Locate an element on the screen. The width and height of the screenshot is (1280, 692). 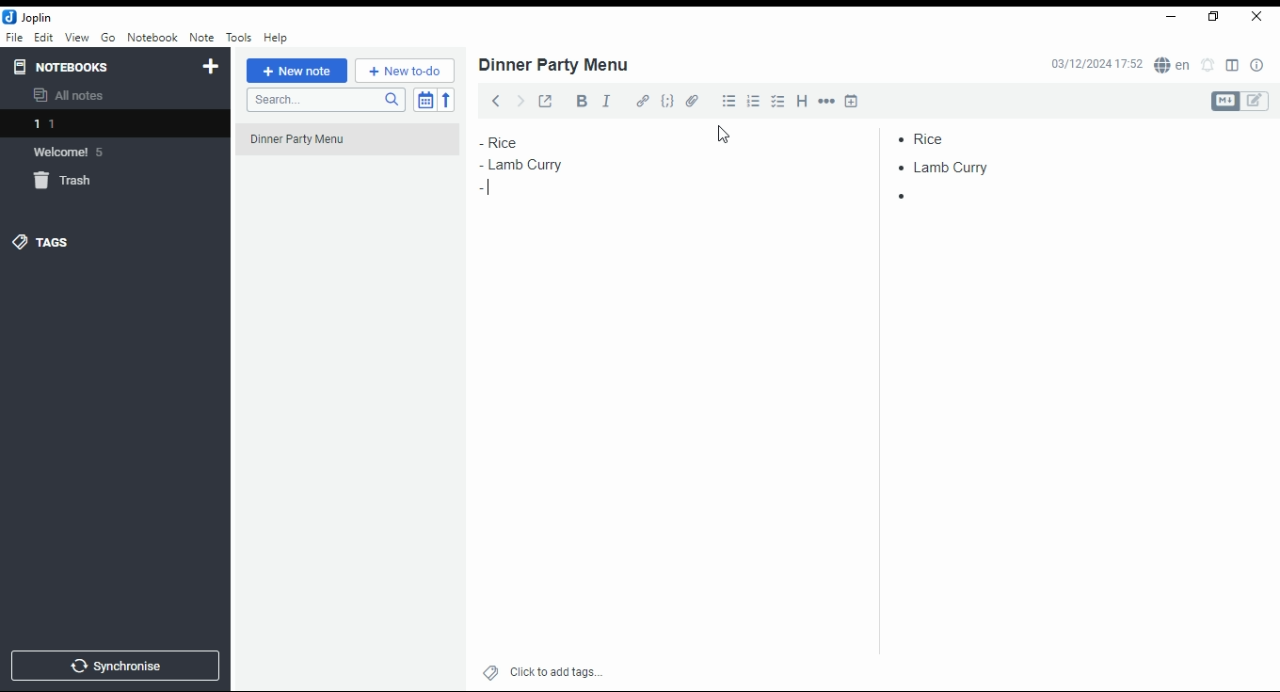
toggle editor layout is located at coordinates (1232, 66).